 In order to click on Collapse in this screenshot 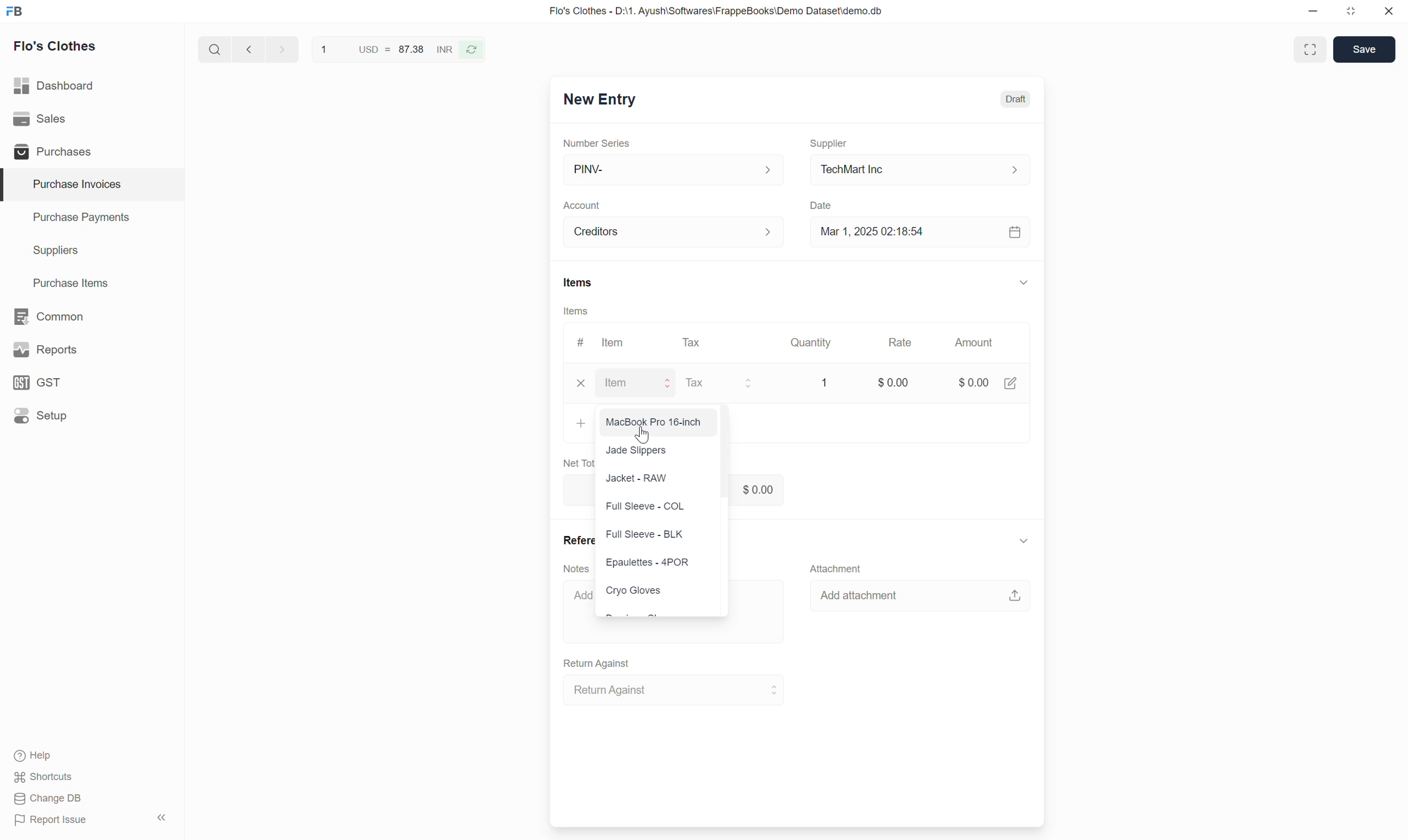, I will do `click(161, 817)`.